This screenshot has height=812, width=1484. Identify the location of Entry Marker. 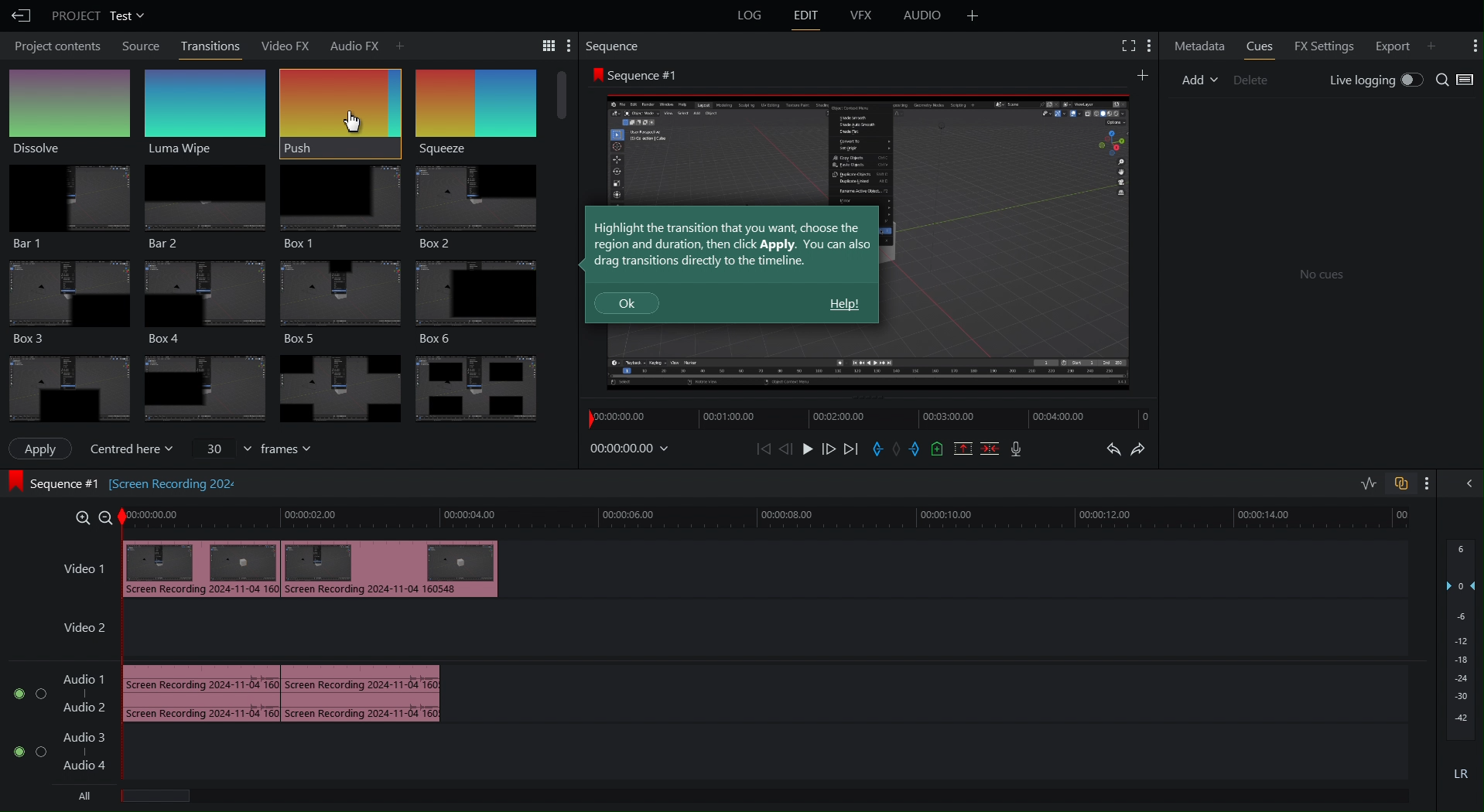
(878, 450).